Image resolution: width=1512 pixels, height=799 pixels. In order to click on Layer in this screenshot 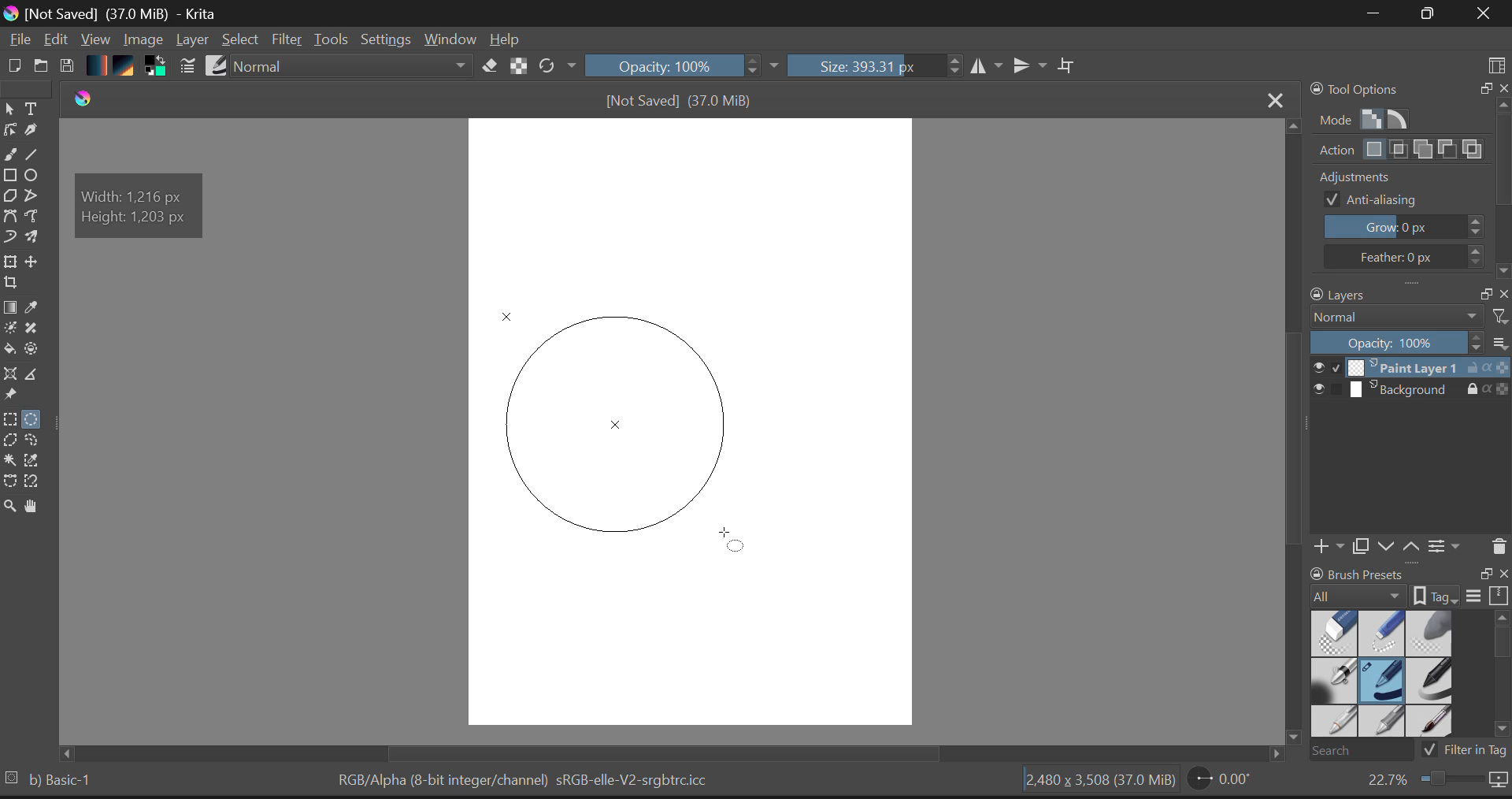, I will do `click(192, 42)`.